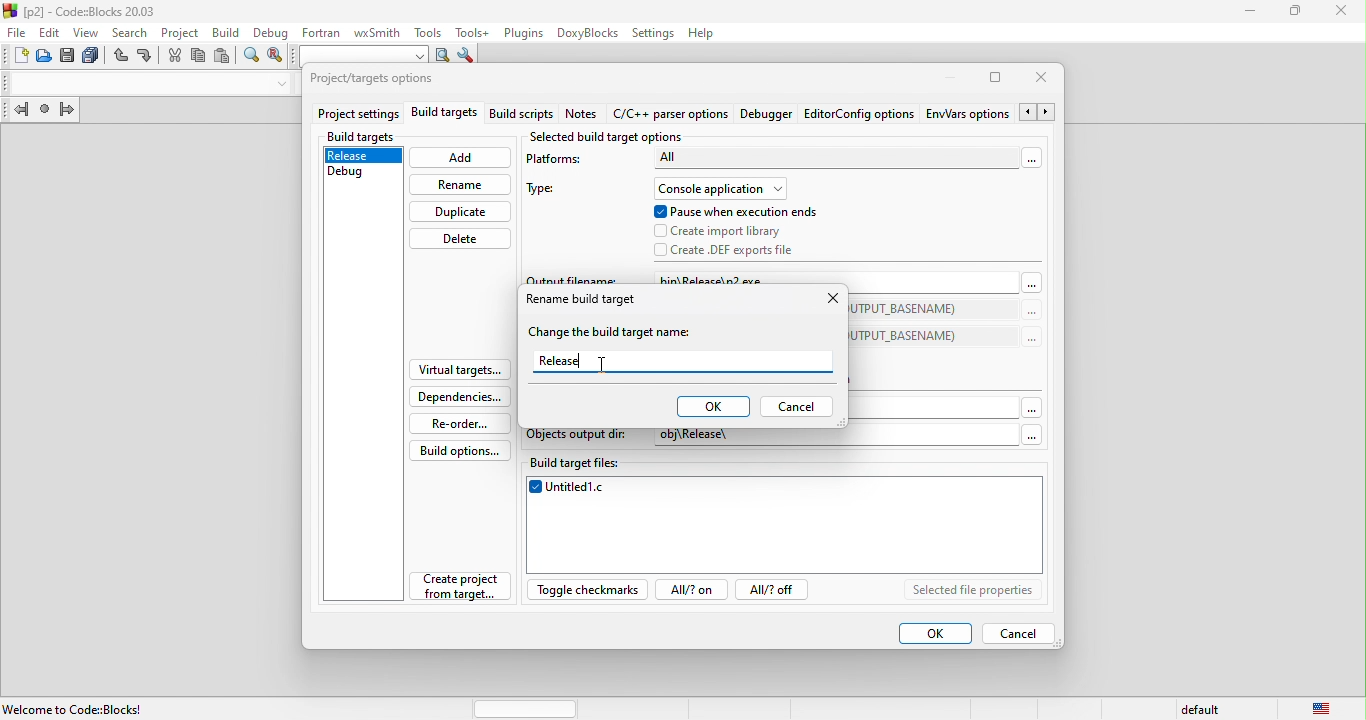 The width and height of the screenshot is (1366, 720). I want to click on bin\Release\p2.exe, so click(745, 279).